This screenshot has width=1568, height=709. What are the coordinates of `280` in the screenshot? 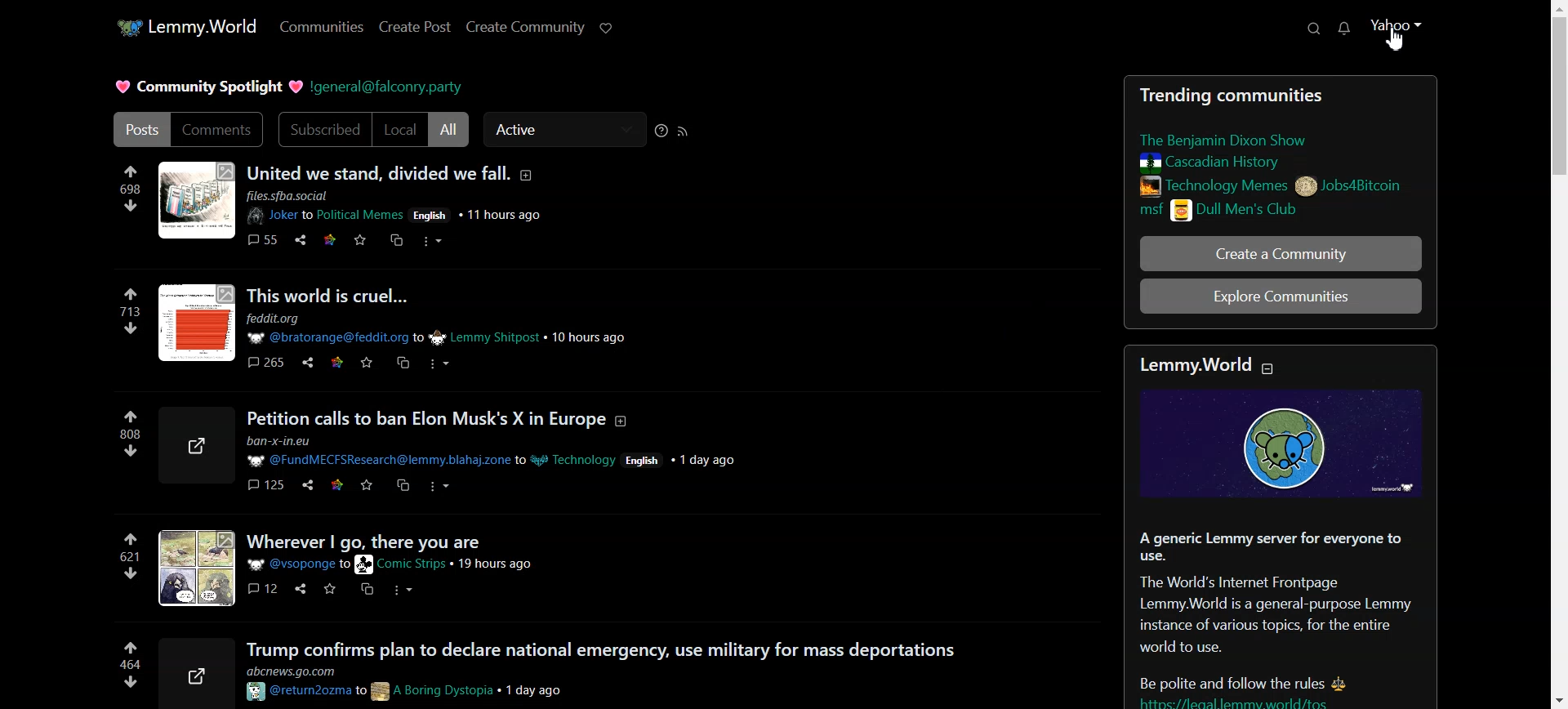 It's located at (117, 430).